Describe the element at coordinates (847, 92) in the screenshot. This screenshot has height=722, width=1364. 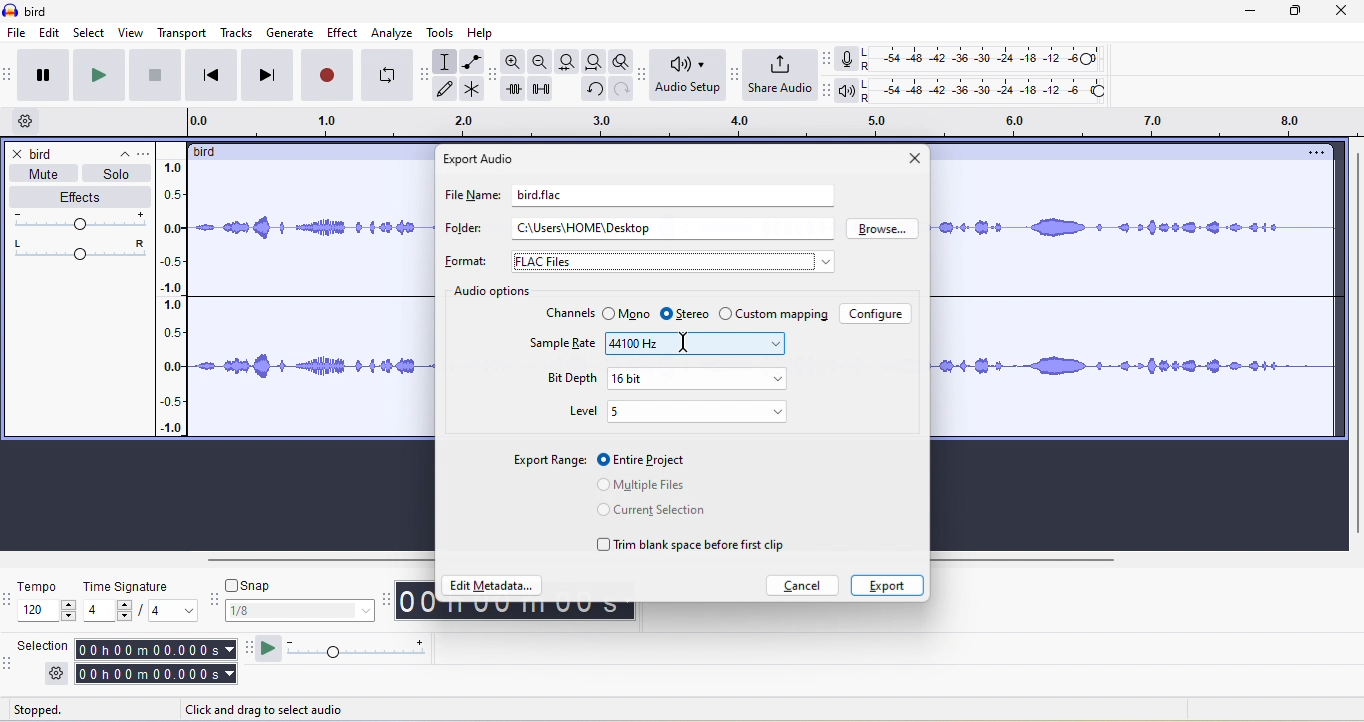
I see `playback meter` at that location.